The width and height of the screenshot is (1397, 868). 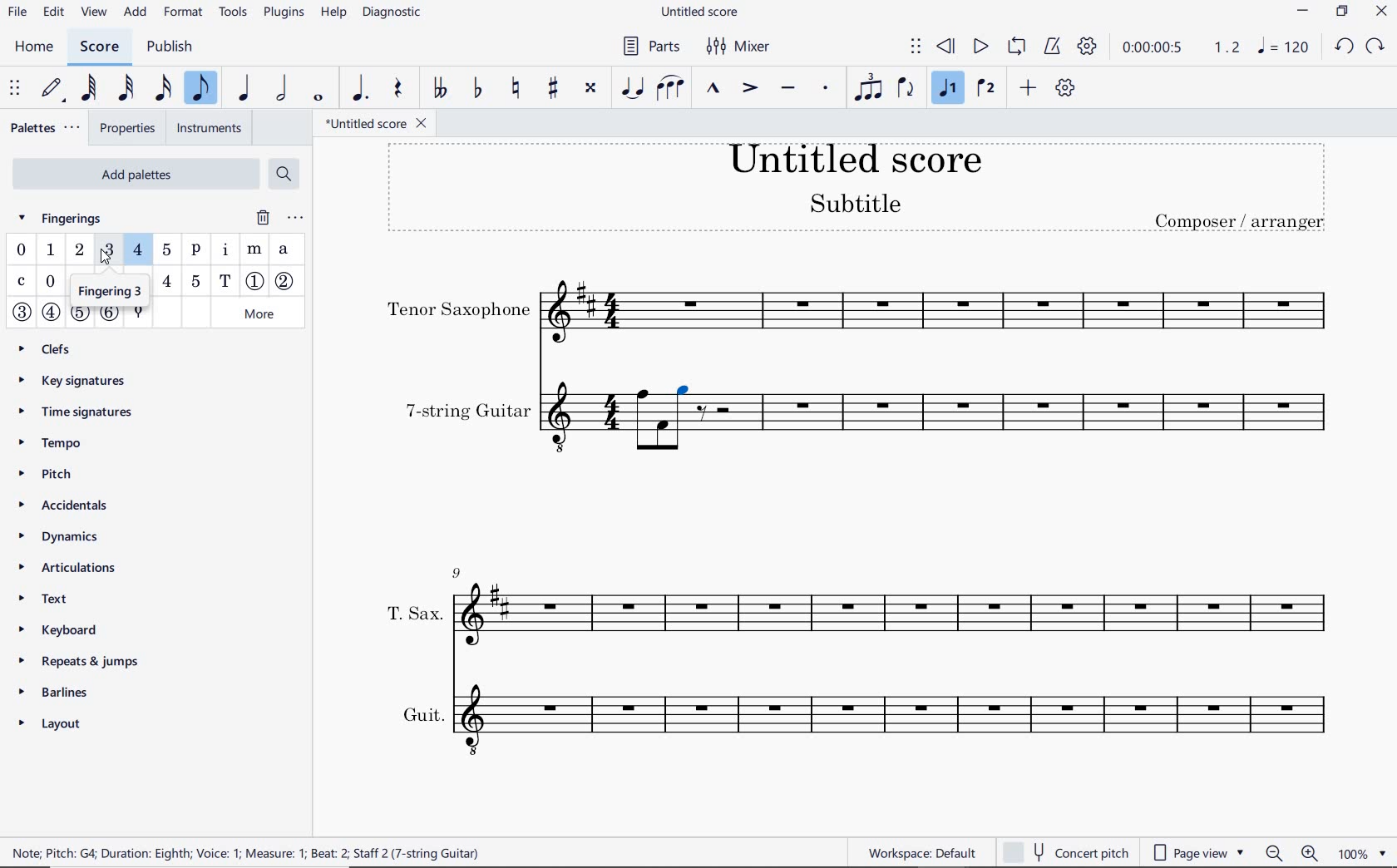 I want to click on NOTE, so click(x=1284, y=47).